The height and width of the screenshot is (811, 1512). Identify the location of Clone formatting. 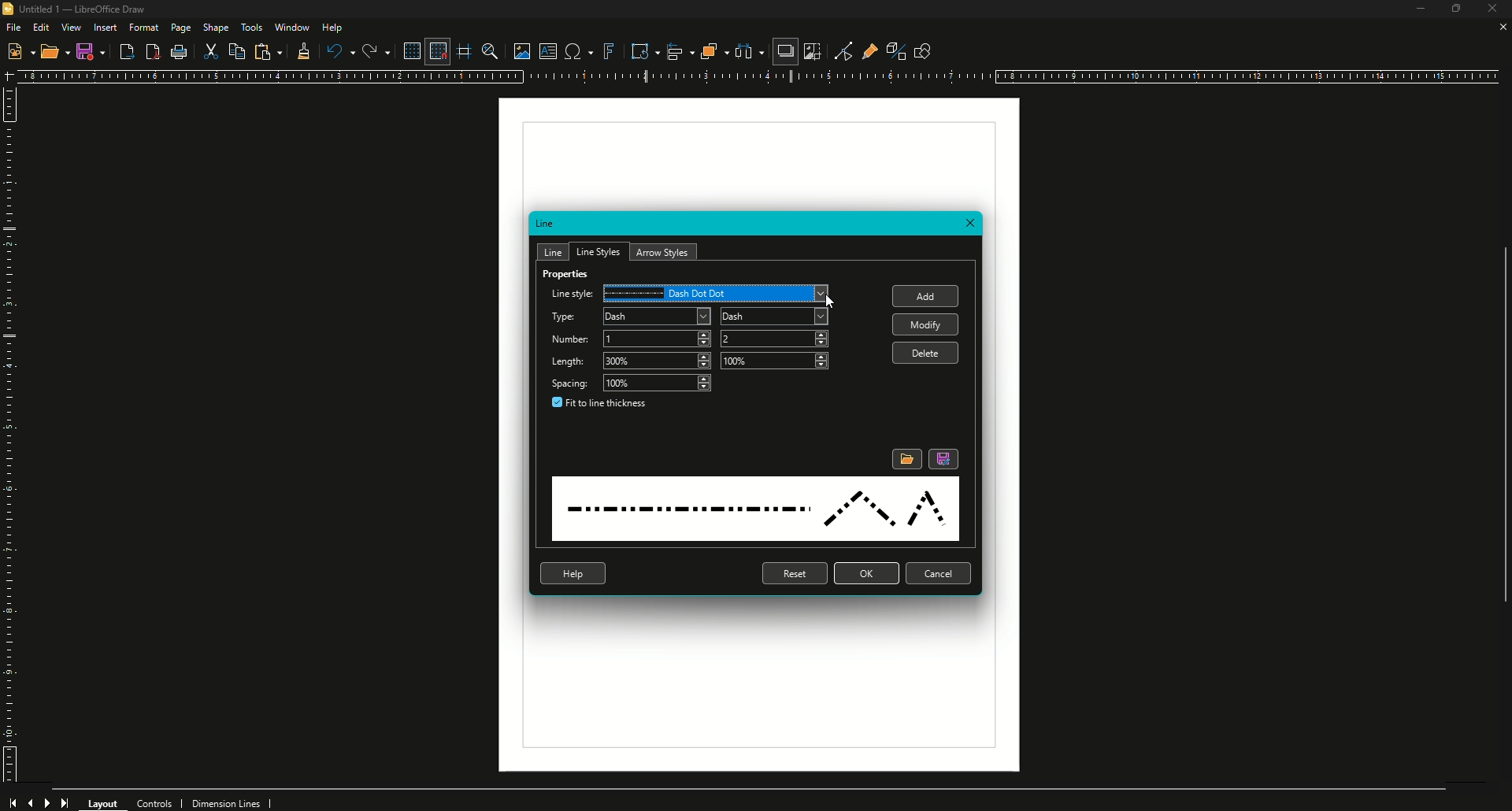
(301, 52).